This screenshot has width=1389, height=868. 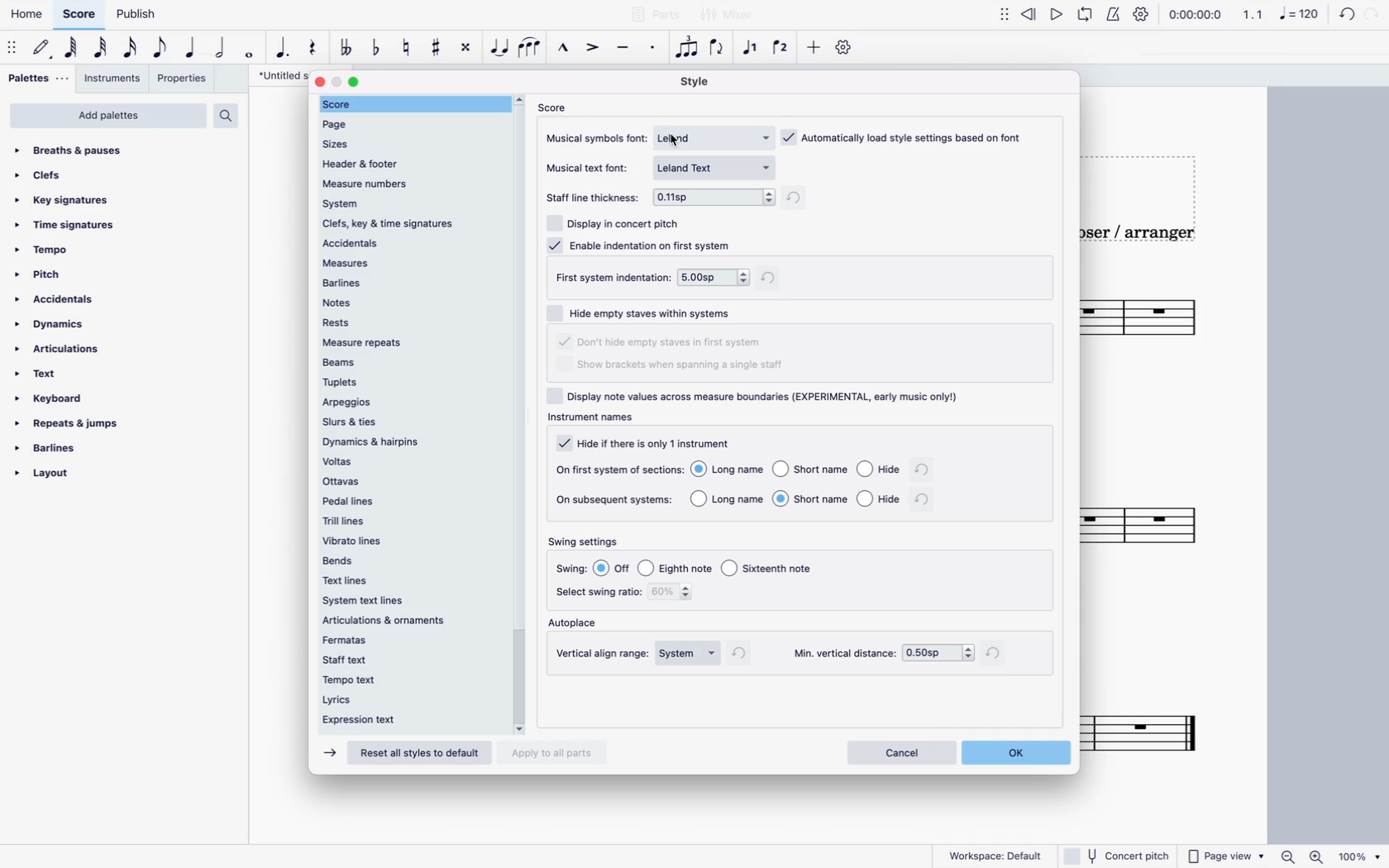 I want to click on text lines, so click(x=410, y=582).